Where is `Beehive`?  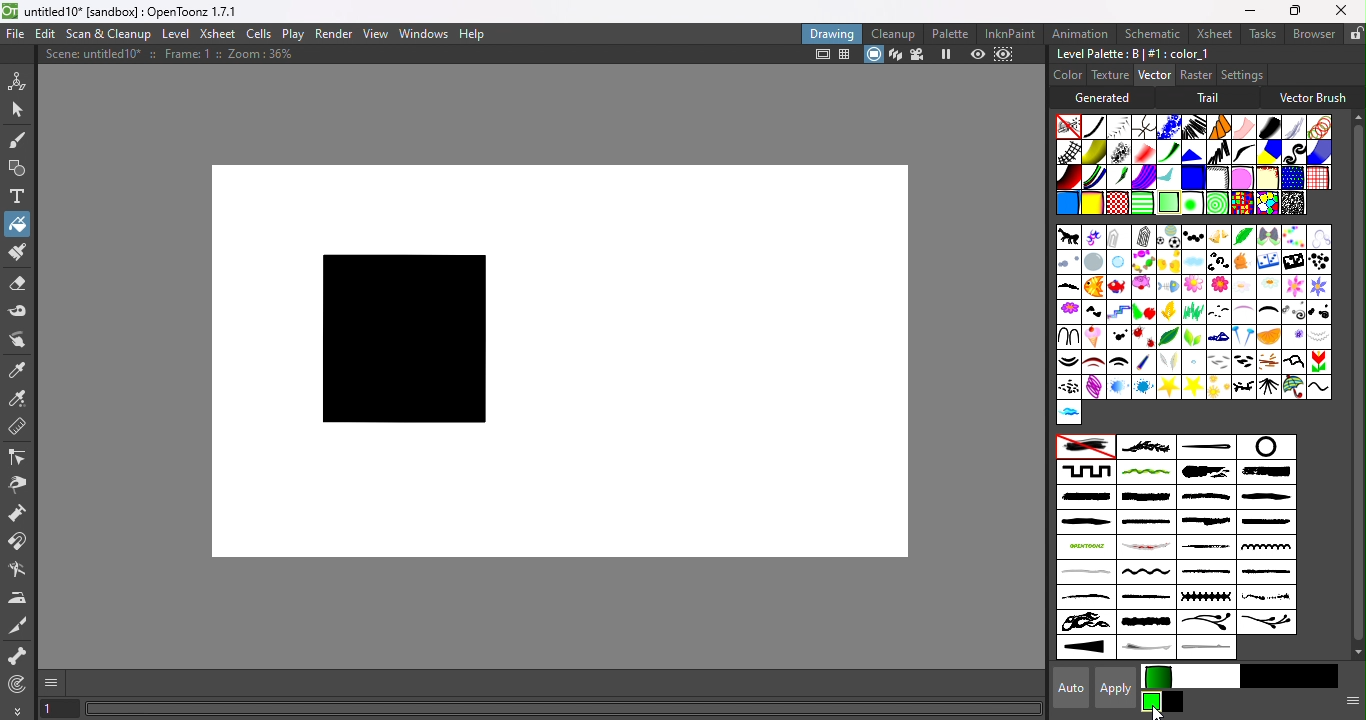 Beehive is located at coordinates (1266, 204).